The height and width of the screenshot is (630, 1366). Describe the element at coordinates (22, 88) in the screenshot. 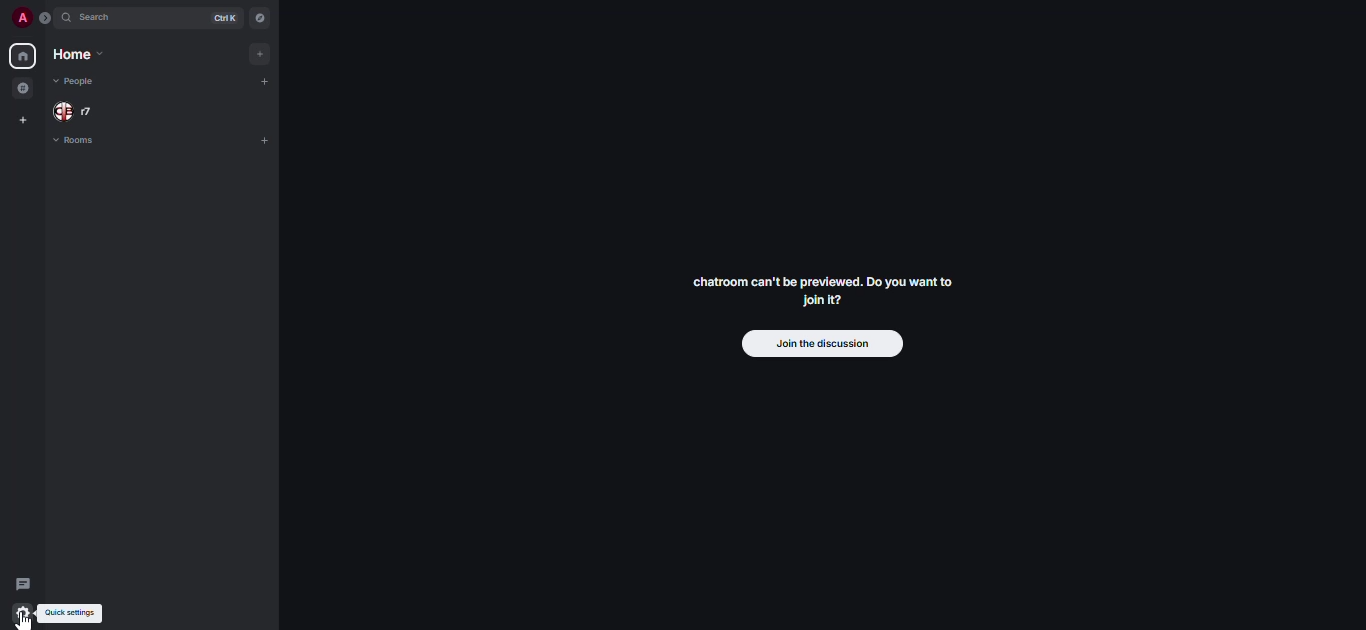

I see `grouped room in space` at that location.